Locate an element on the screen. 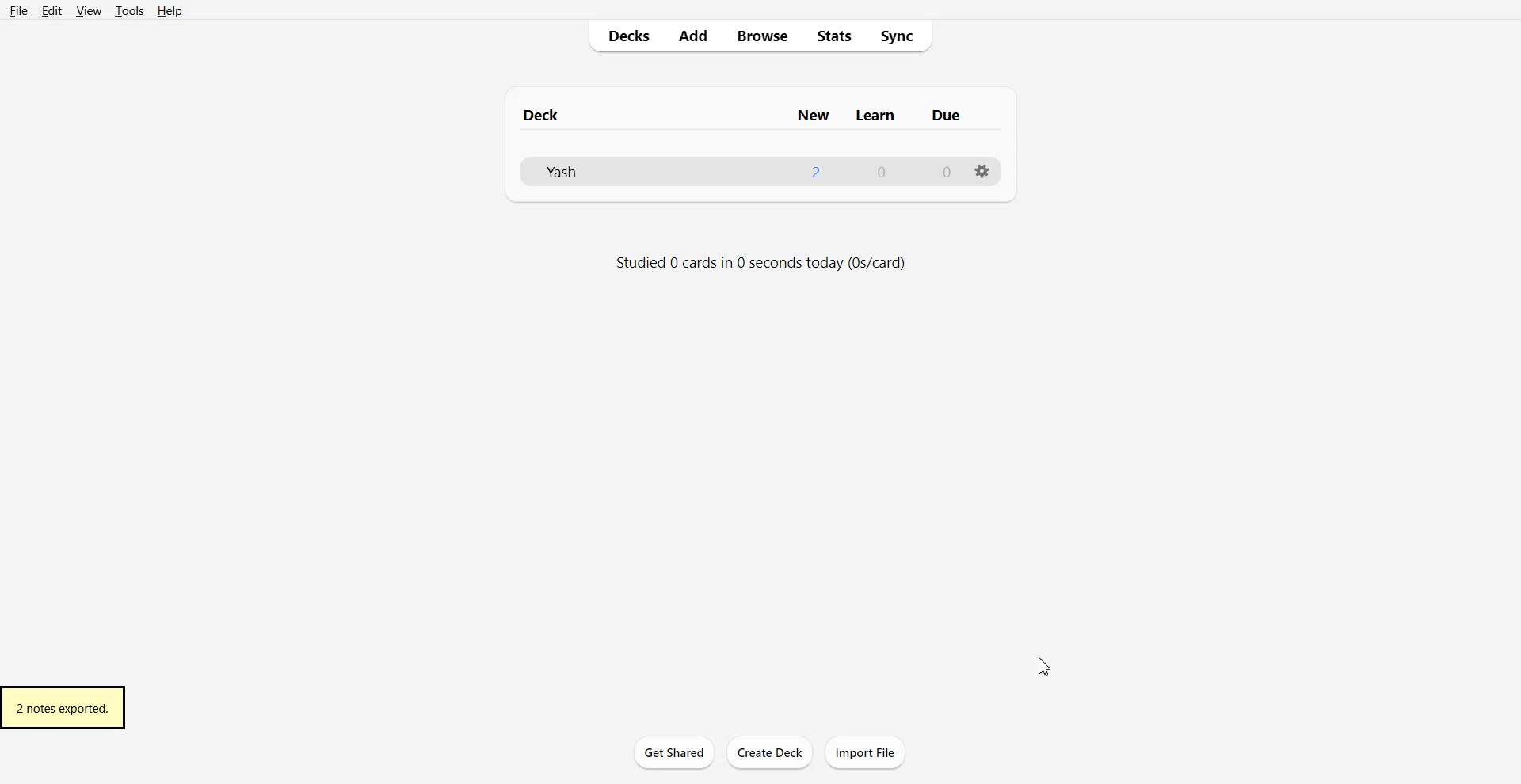 The width and height of the screenshot is (1521, 784). 0 is located at coordinates (882, 173).